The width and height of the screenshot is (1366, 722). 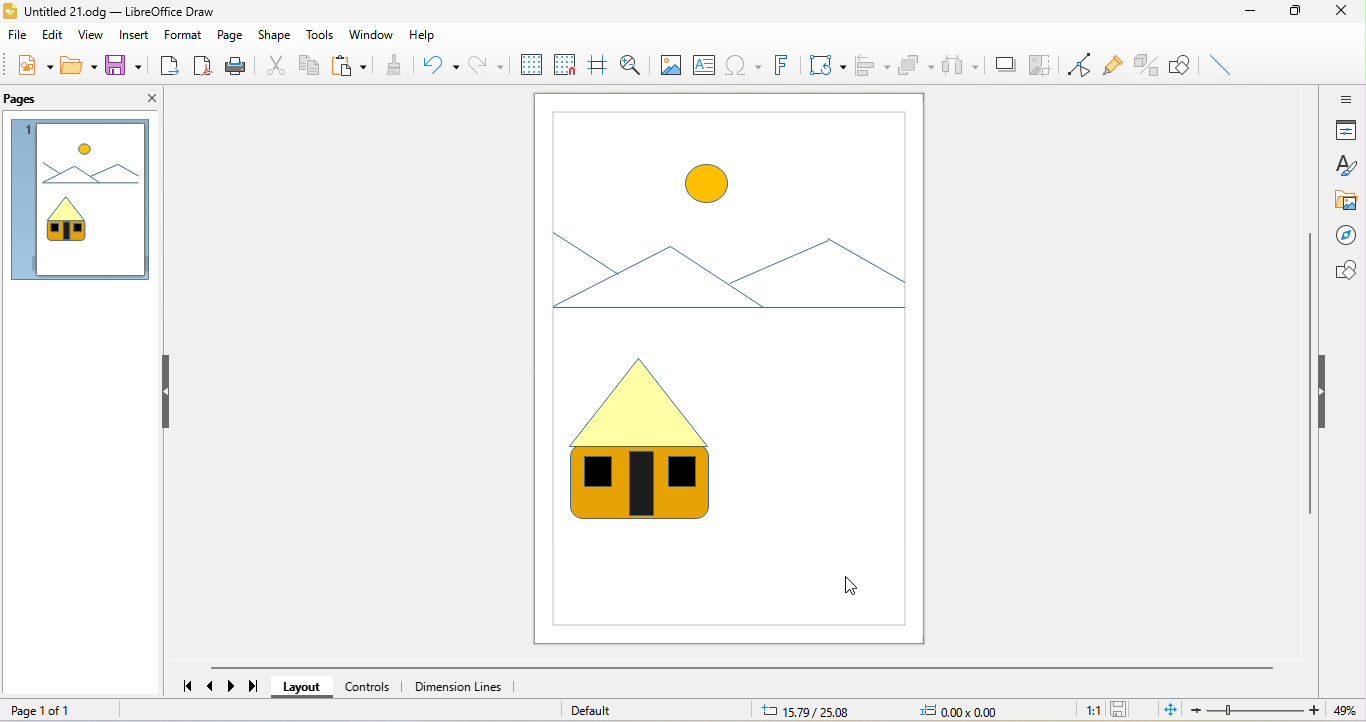 I want to click on tools, so click(x=319, y=33).